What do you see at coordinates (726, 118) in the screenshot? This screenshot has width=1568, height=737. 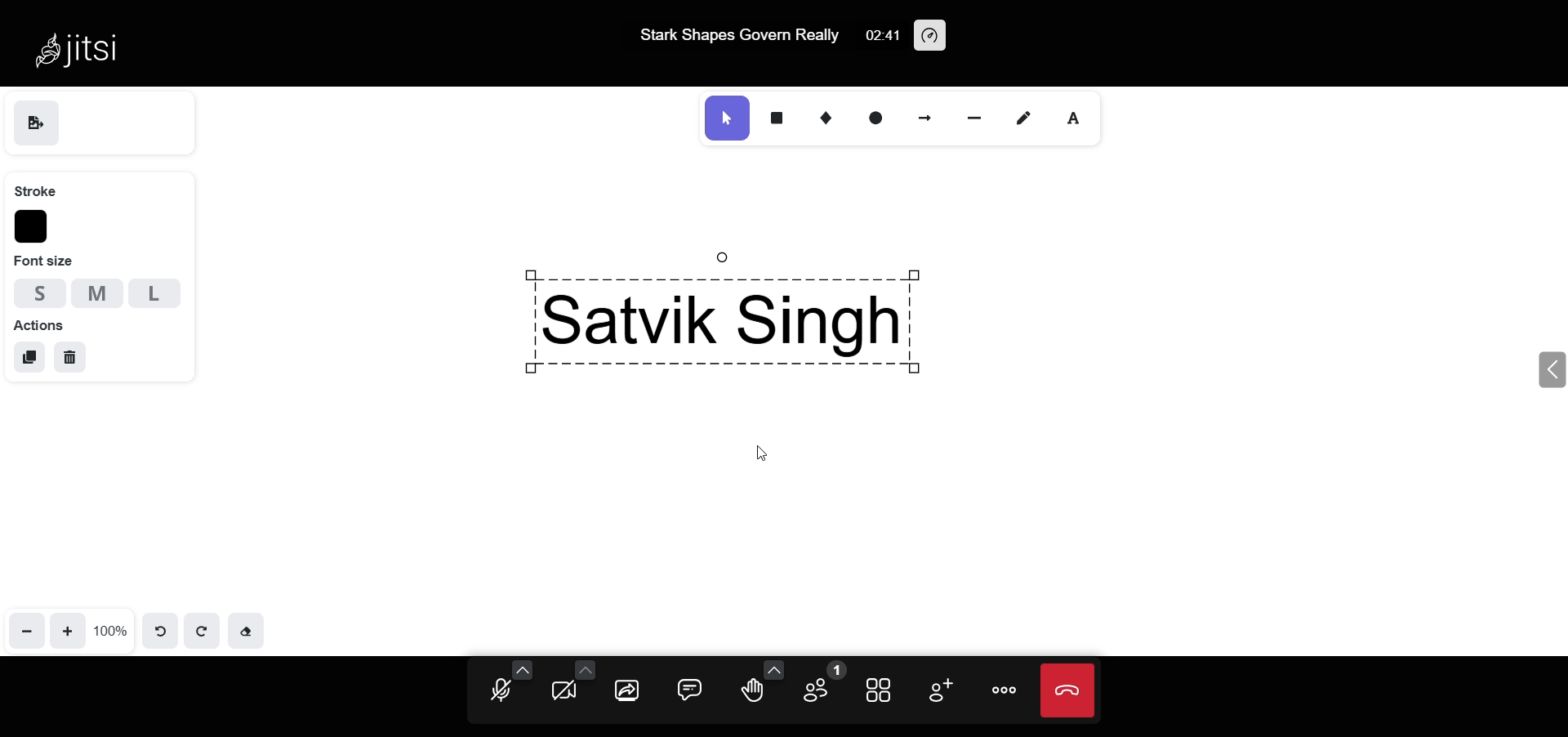 I see `select` at bounding box center [726, 118].